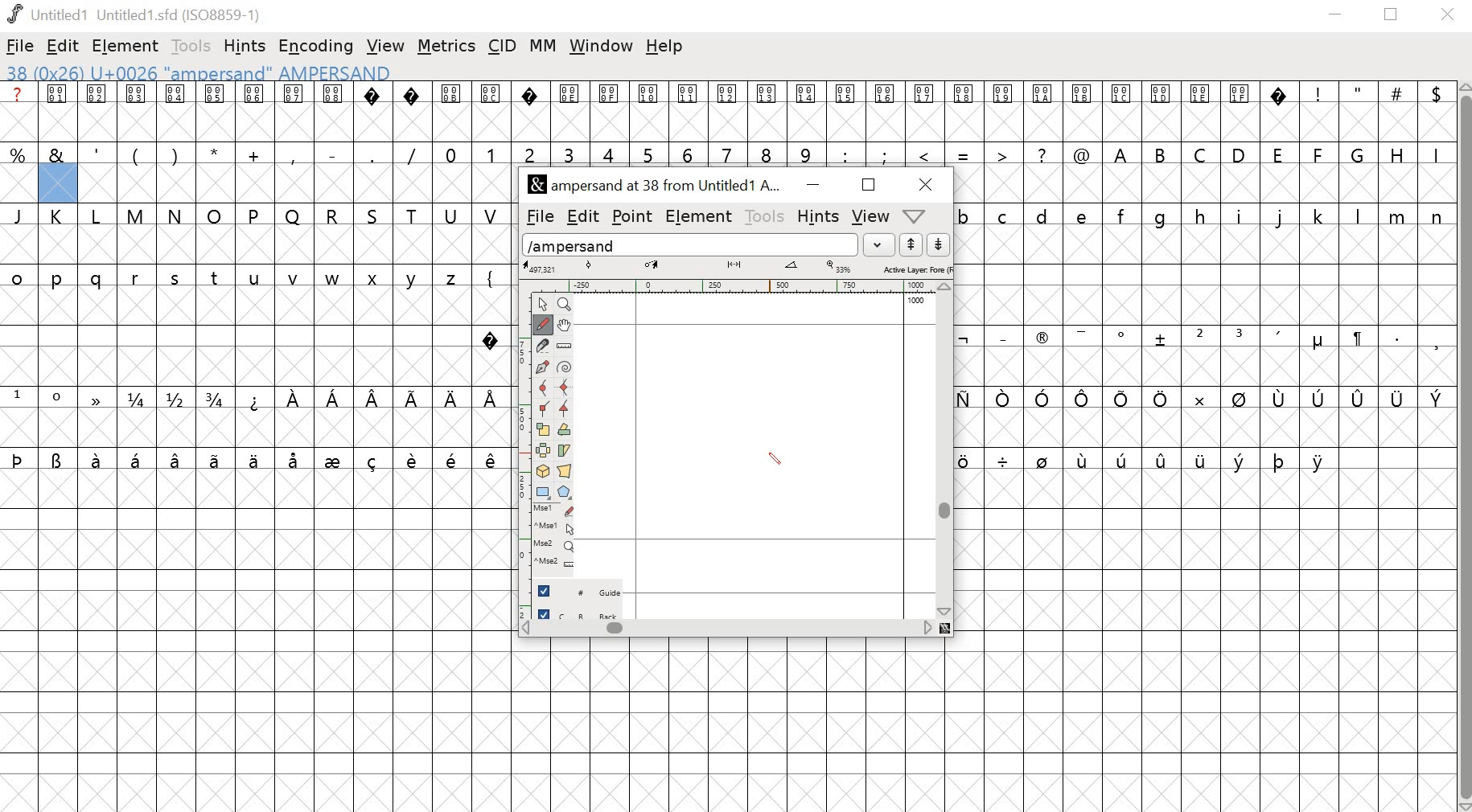  What do you see at coordinates (1240, 111) in the screenshot?
I see `001F` at bounding box center [1240, 111].